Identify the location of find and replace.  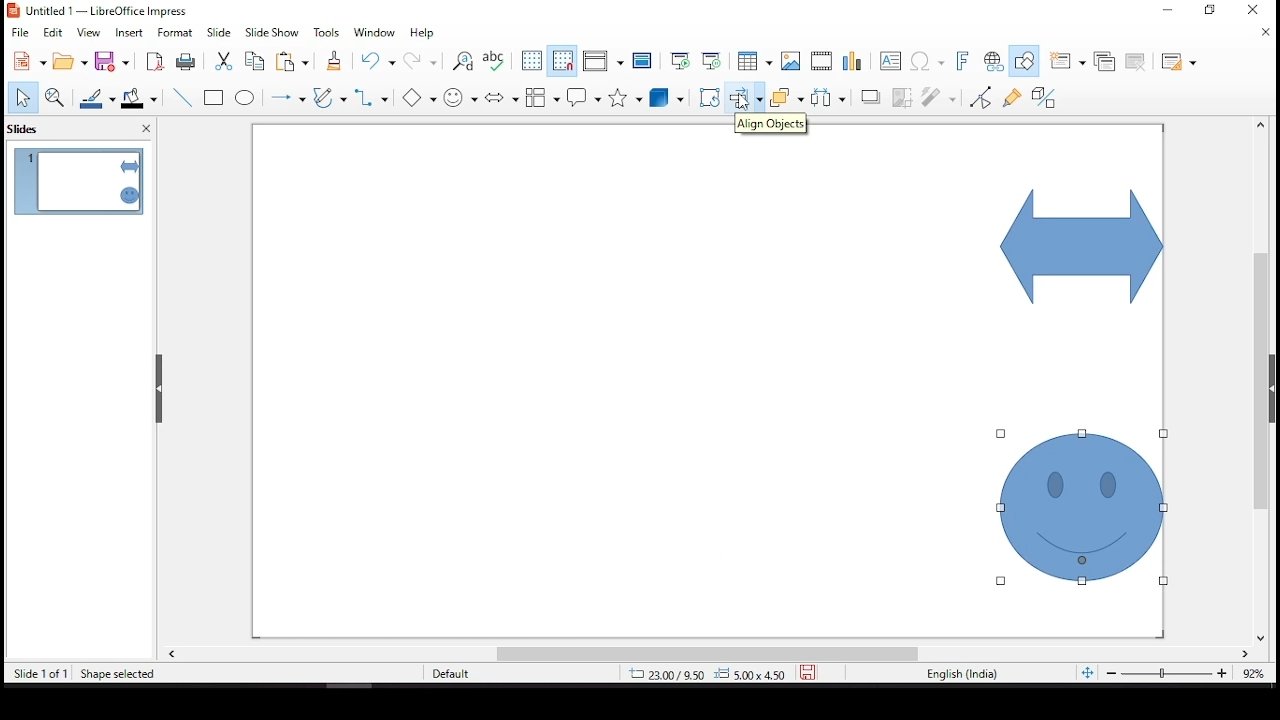
(464, 61).